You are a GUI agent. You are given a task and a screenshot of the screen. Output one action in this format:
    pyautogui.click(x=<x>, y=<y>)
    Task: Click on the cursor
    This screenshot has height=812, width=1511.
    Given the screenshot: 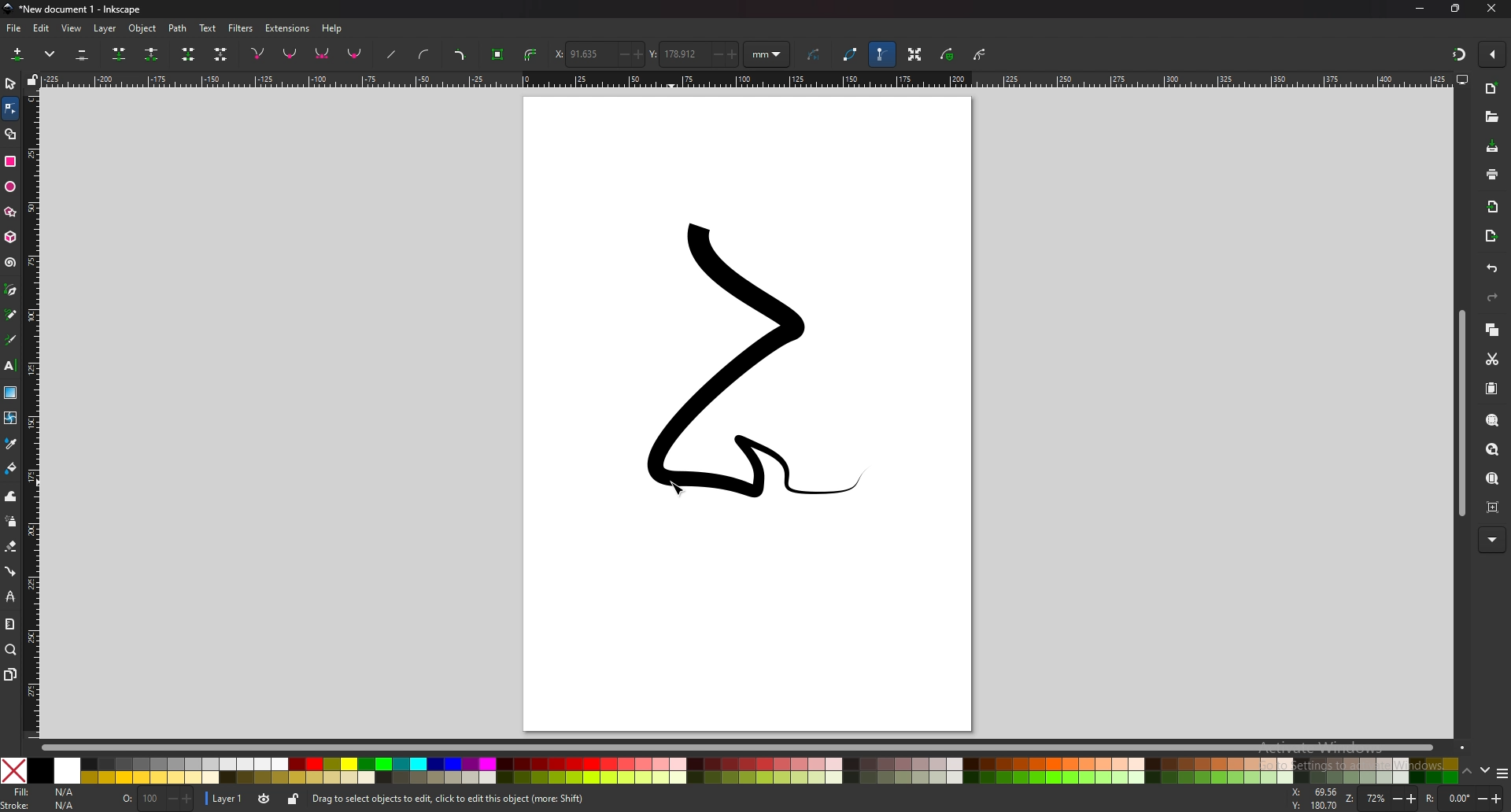 What is the action you would take?
    pyautogui.click(x=678, y=489)
    